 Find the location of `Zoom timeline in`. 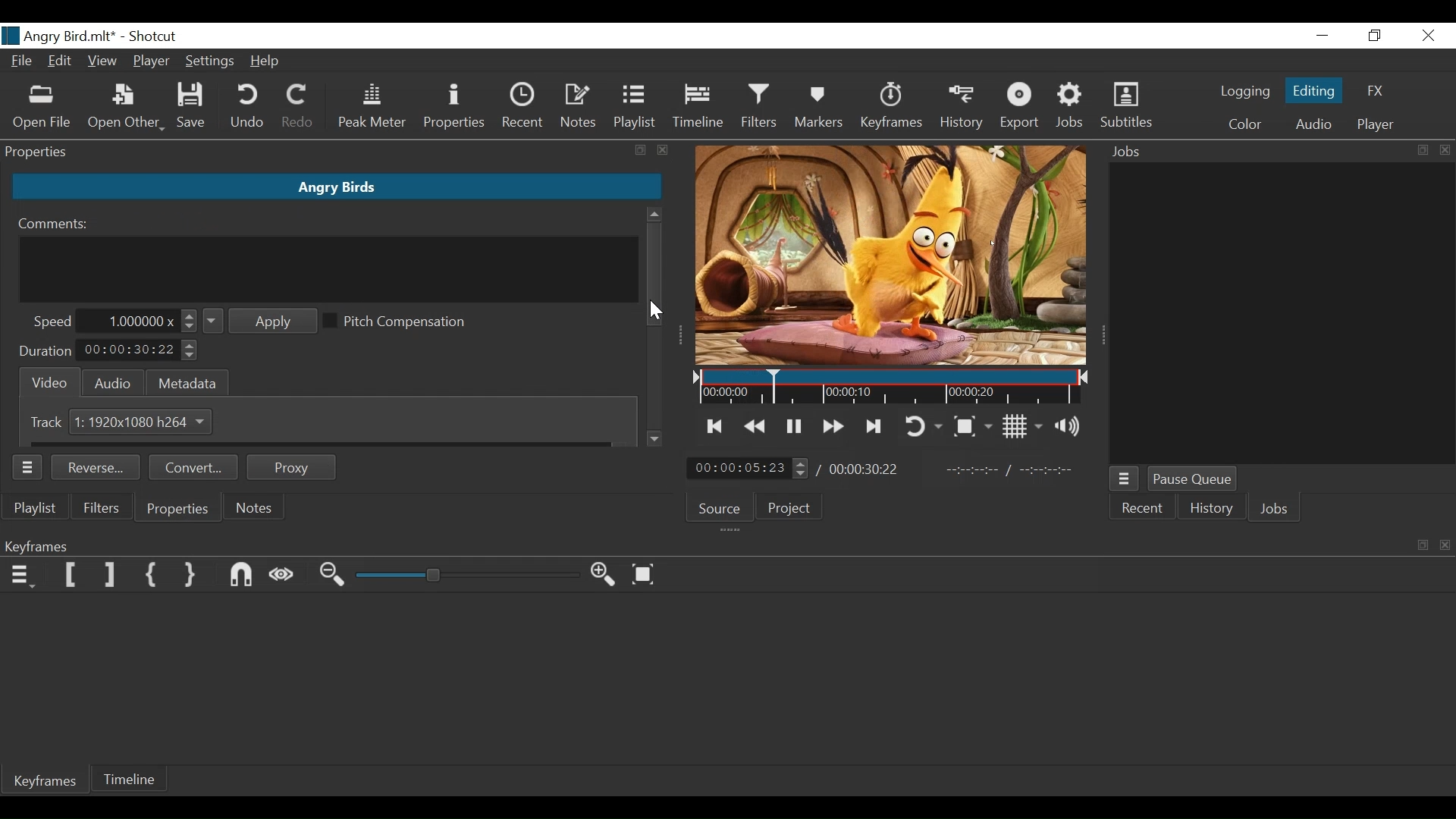

Zoom timeline in is located at coordinates (604, 574).